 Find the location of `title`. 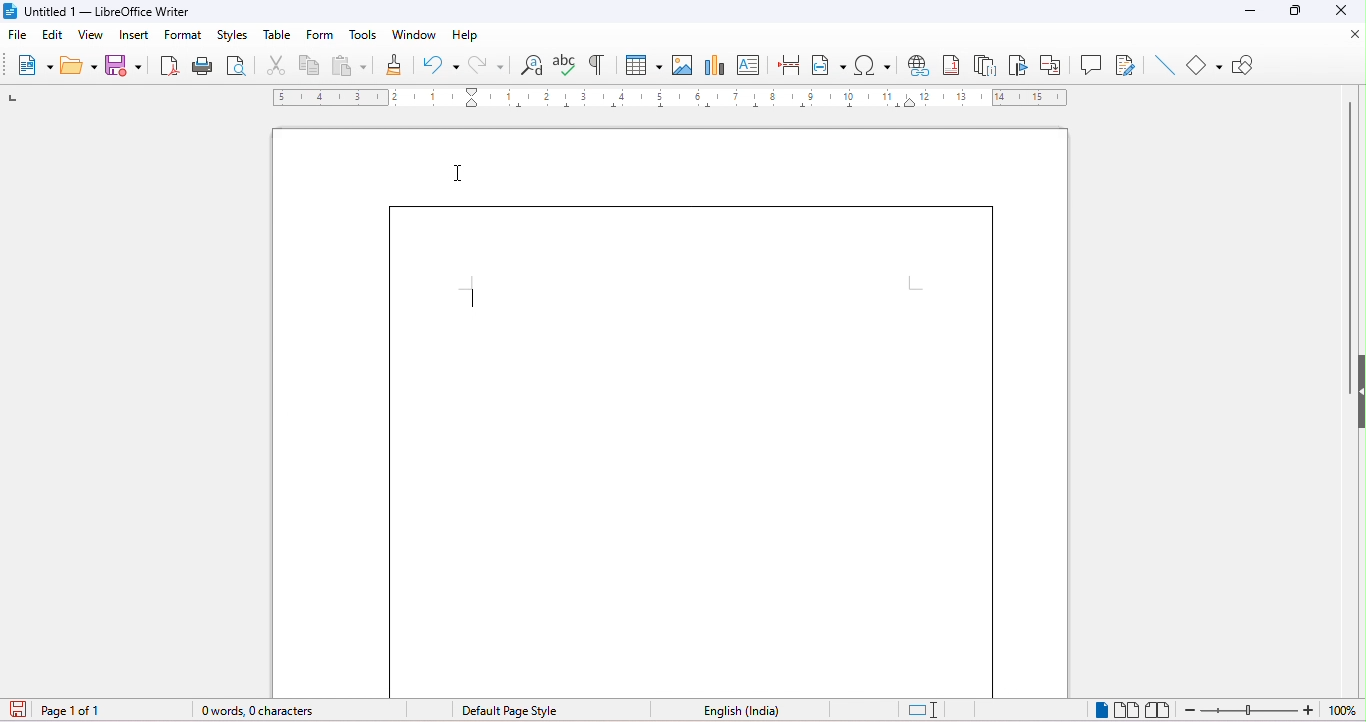

title is located at coordinates (98, 12).